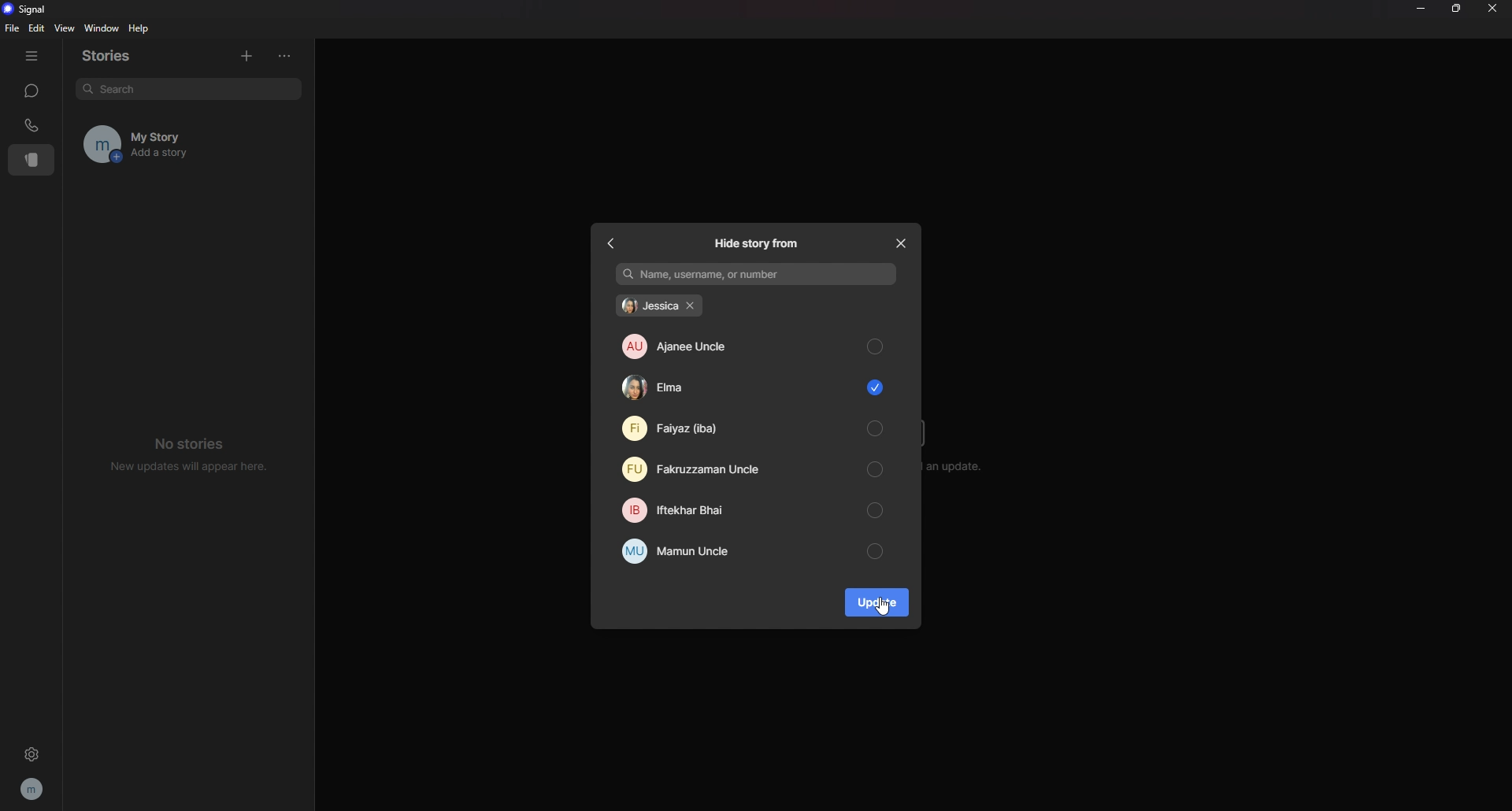 Image resolution: width=1512 pixels, height=811 pixels. What do you see at coordinates (33, 788) in the screenshot?
I see `profile` at bounding box center [33, 788].